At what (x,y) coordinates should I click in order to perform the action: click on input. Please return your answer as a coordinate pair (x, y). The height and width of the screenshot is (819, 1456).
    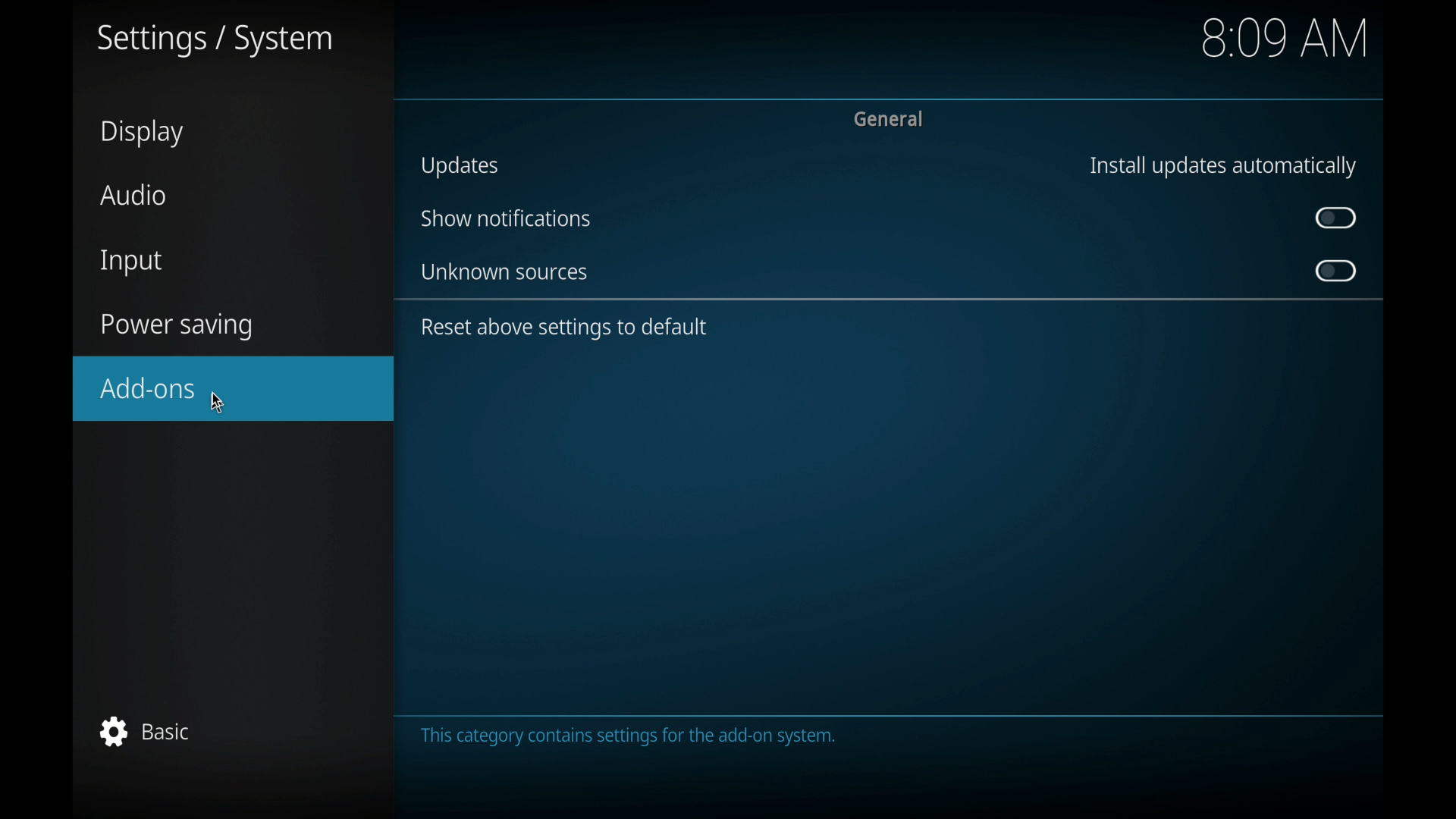
    Looking at the image, I should click on (133, 263).